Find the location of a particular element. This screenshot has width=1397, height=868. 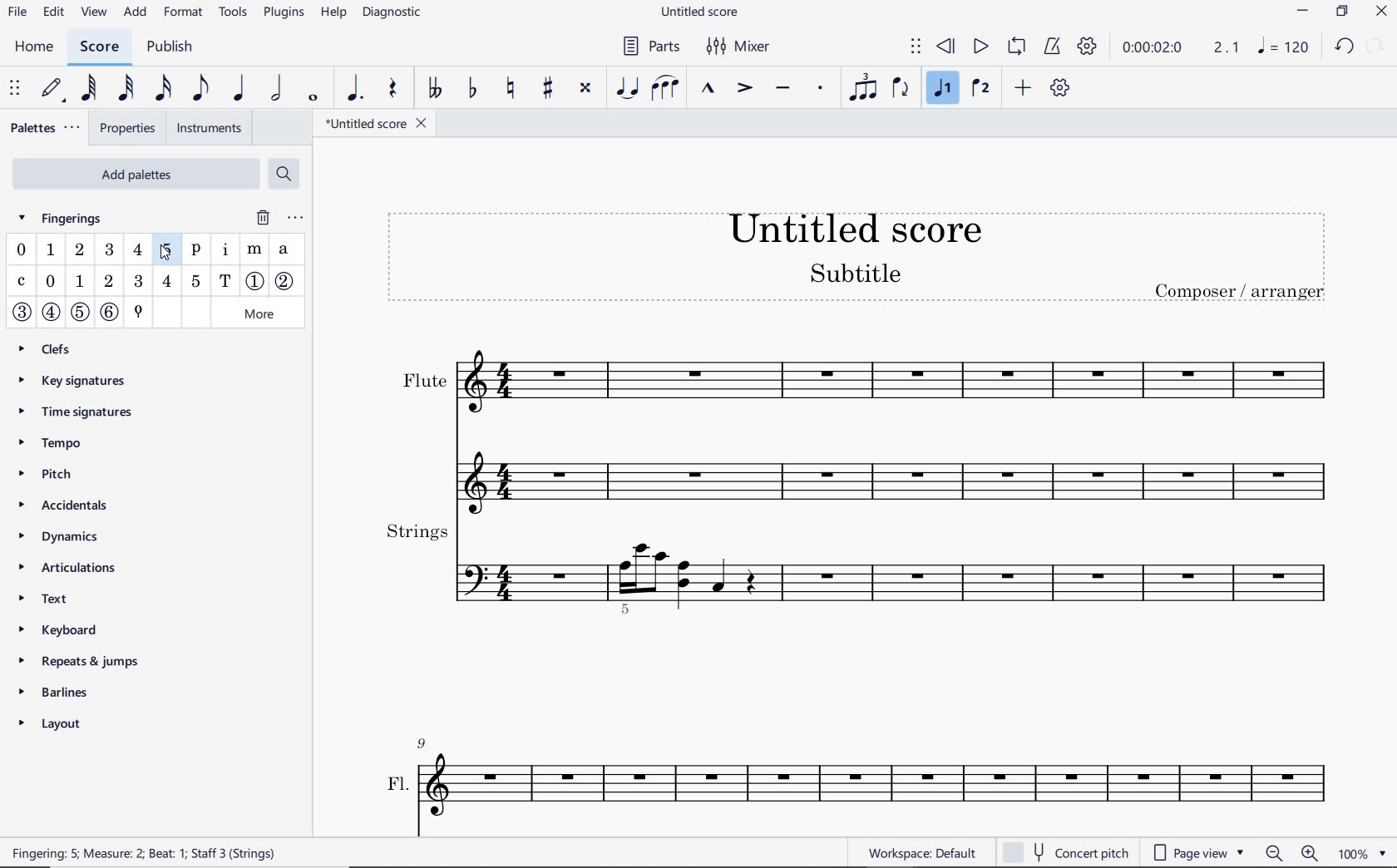

select to move is located at coordinates (14, 86).